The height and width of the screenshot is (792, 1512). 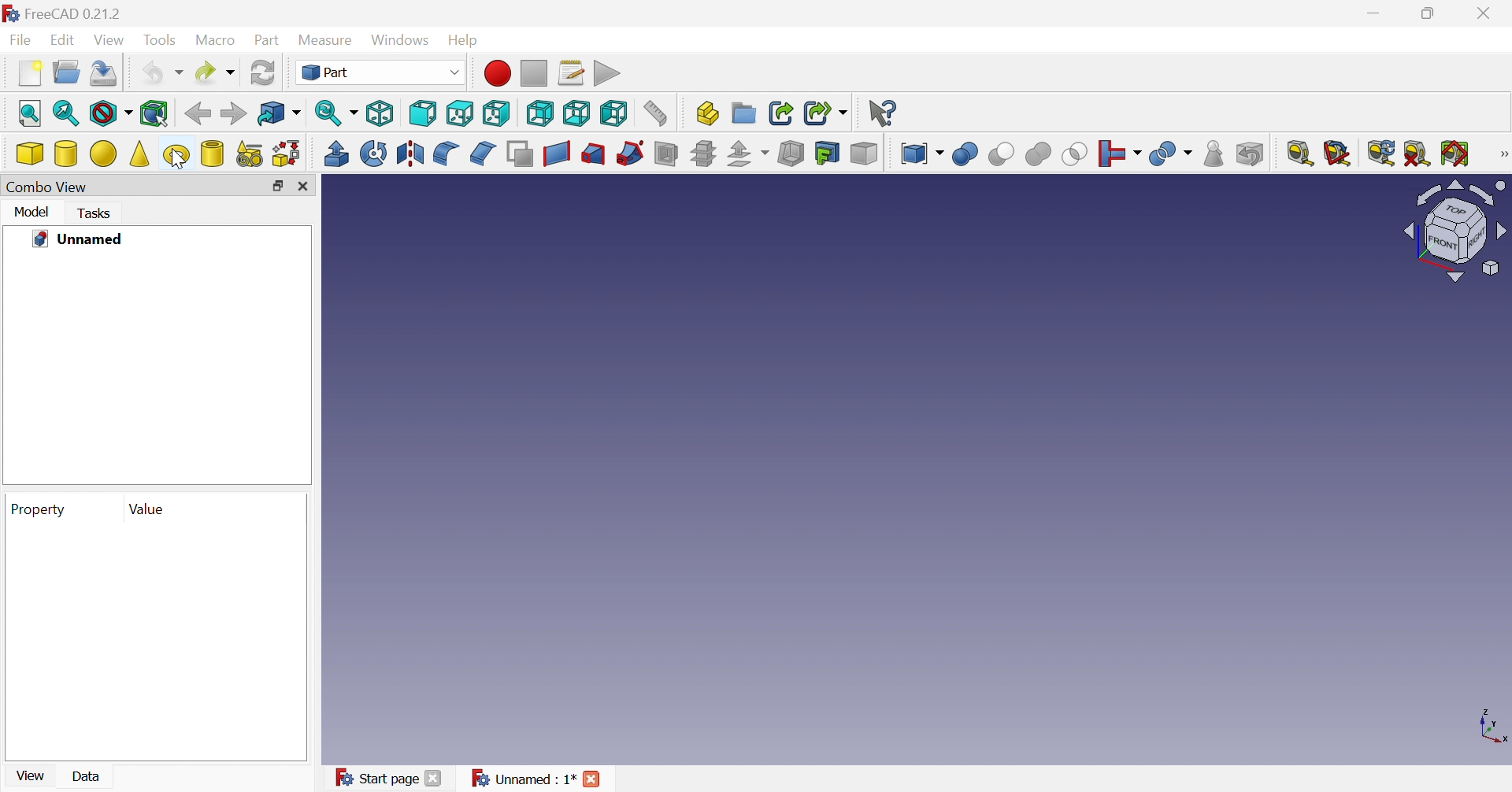 I want to click on Cone, so click(x=140, y=154).